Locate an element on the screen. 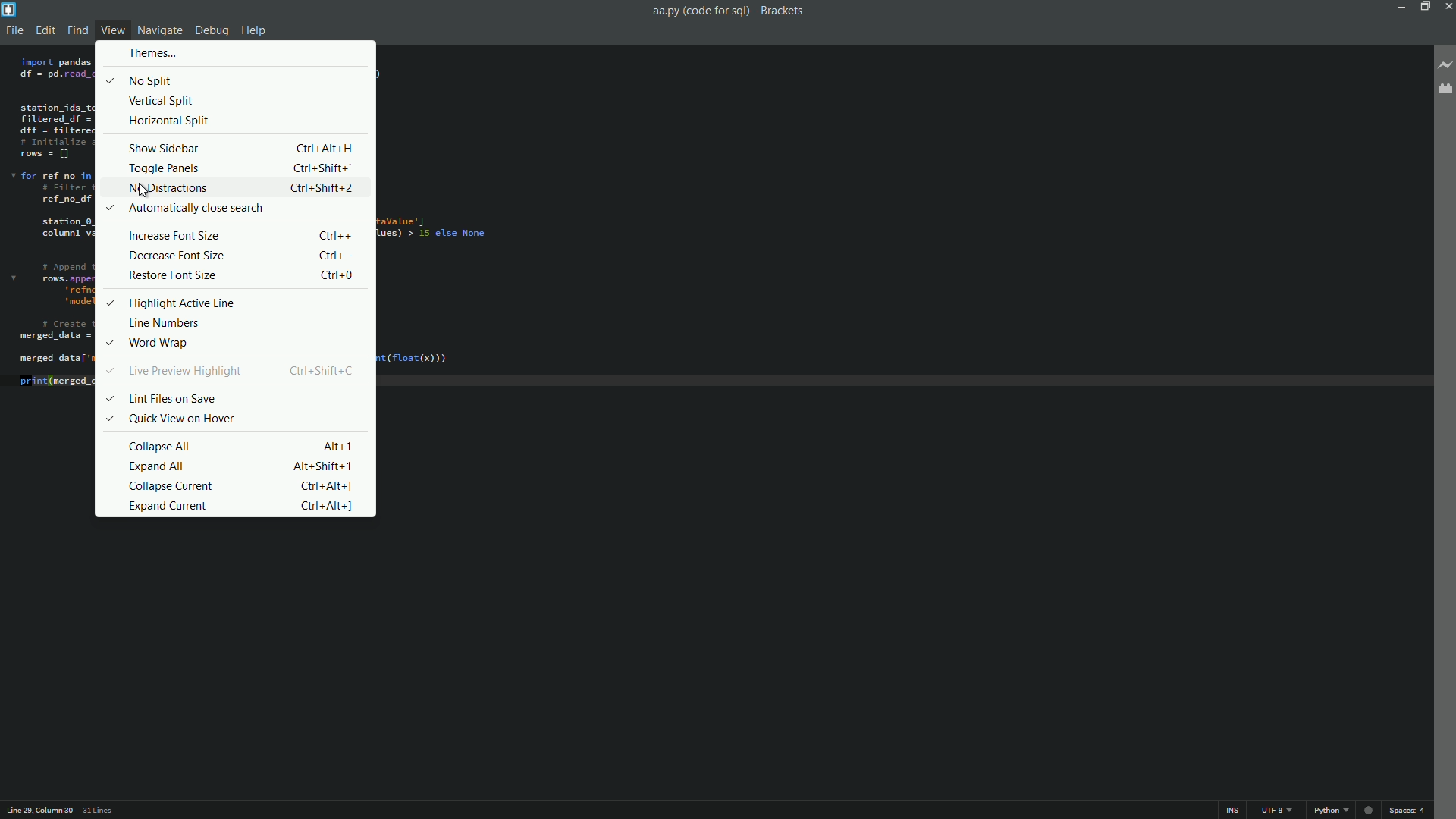 The height and width of the screenshot is (819, 1456). toggle panels ctrl + shift + 1 is located at coordinates (243, 167).